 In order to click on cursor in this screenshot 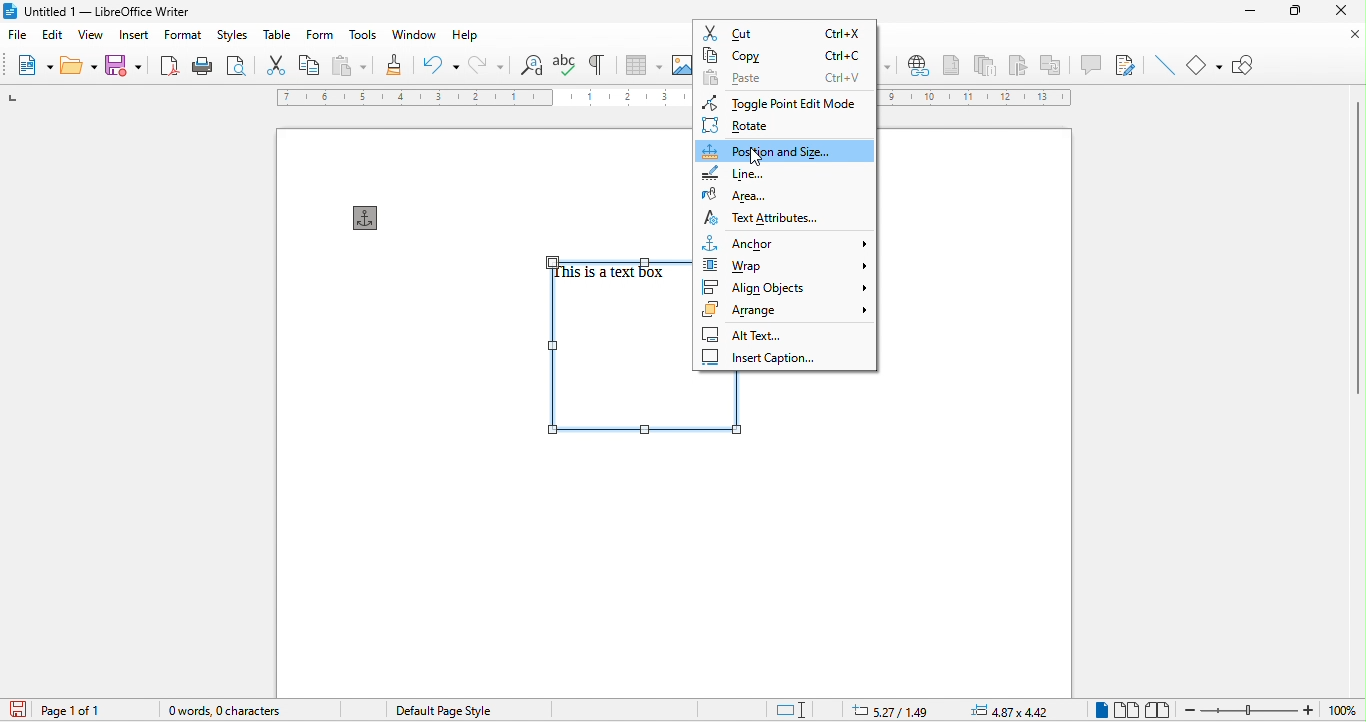, I will do `click(757, 156)`.